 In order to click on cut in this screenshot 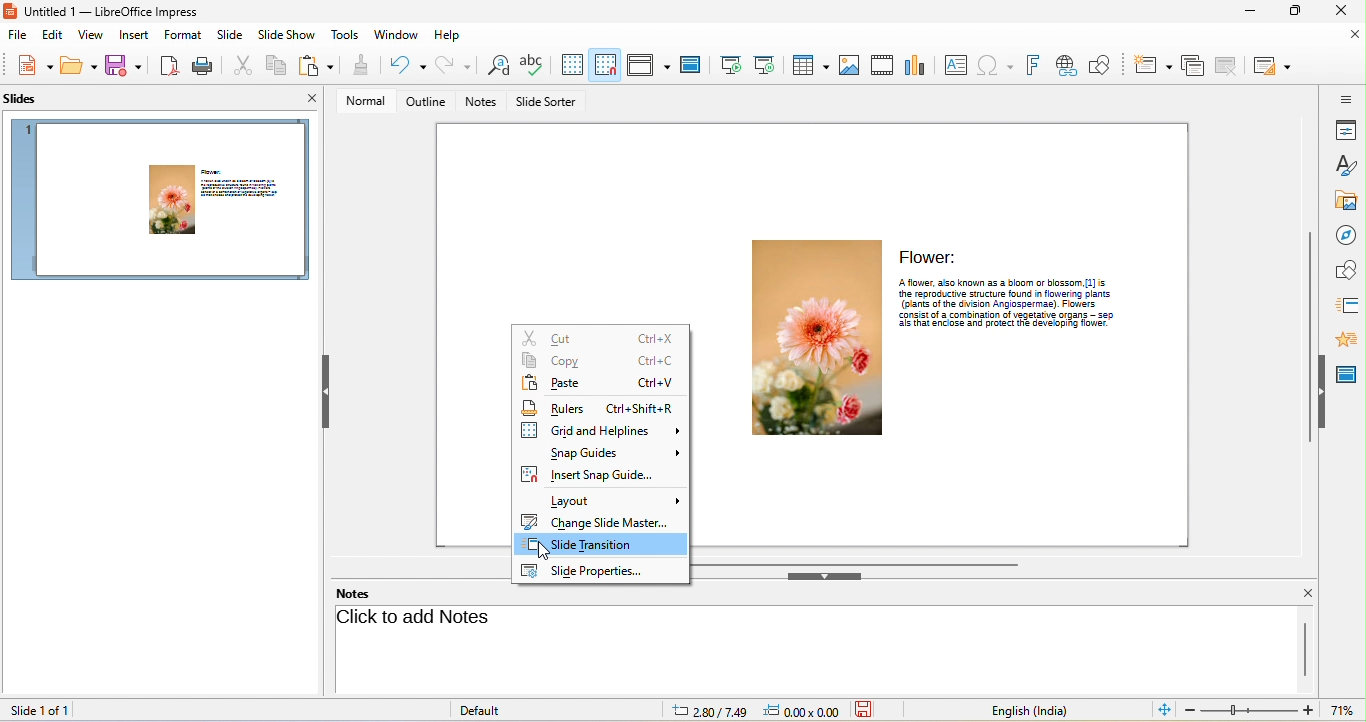, I will do `click(598, 336)`.